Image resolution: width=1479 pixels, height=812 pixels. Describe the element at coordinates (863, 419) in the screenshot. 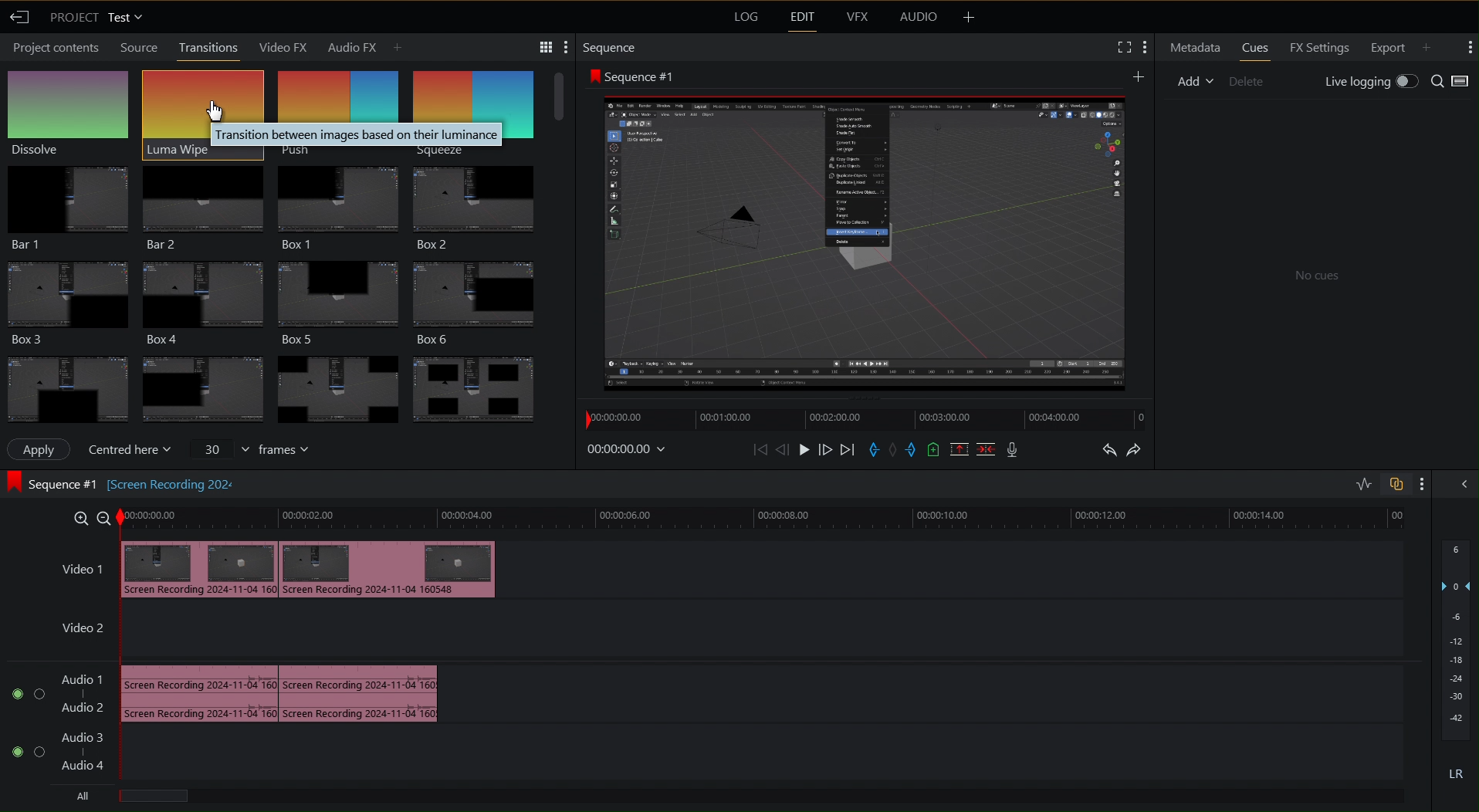

I see `Timeline` at that location.